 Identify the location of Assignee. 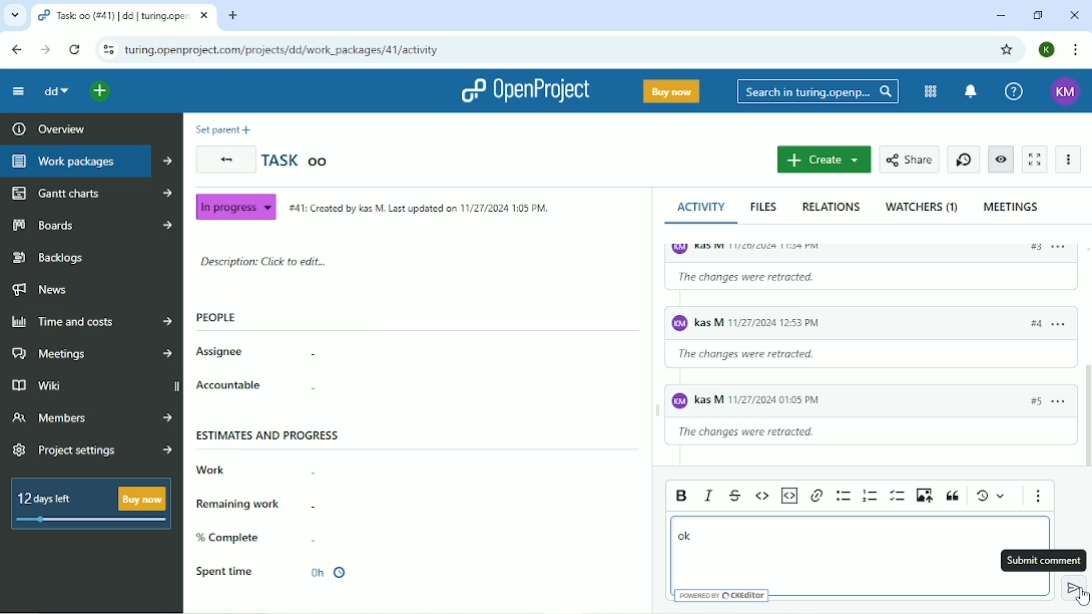
(255, 353).